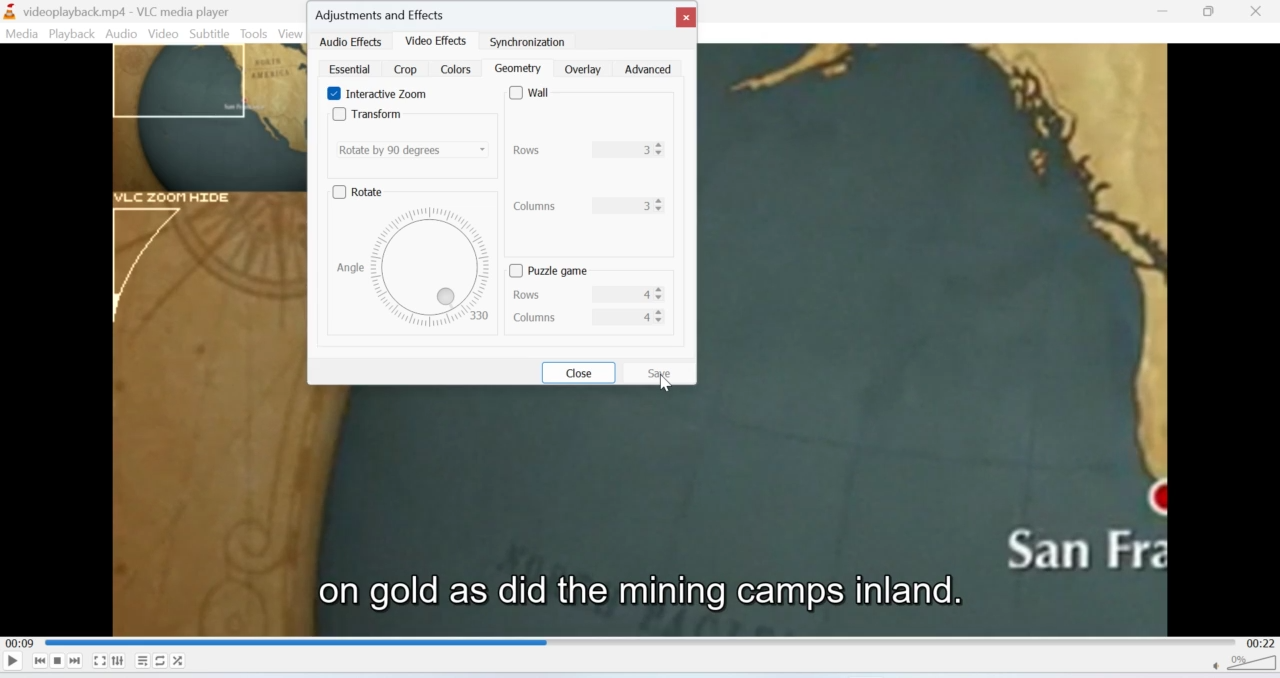 This screenshot has height=678, width=1280. Describe the element at coordinates (438, 42) in the screenshot. I see `video effects` at that location.